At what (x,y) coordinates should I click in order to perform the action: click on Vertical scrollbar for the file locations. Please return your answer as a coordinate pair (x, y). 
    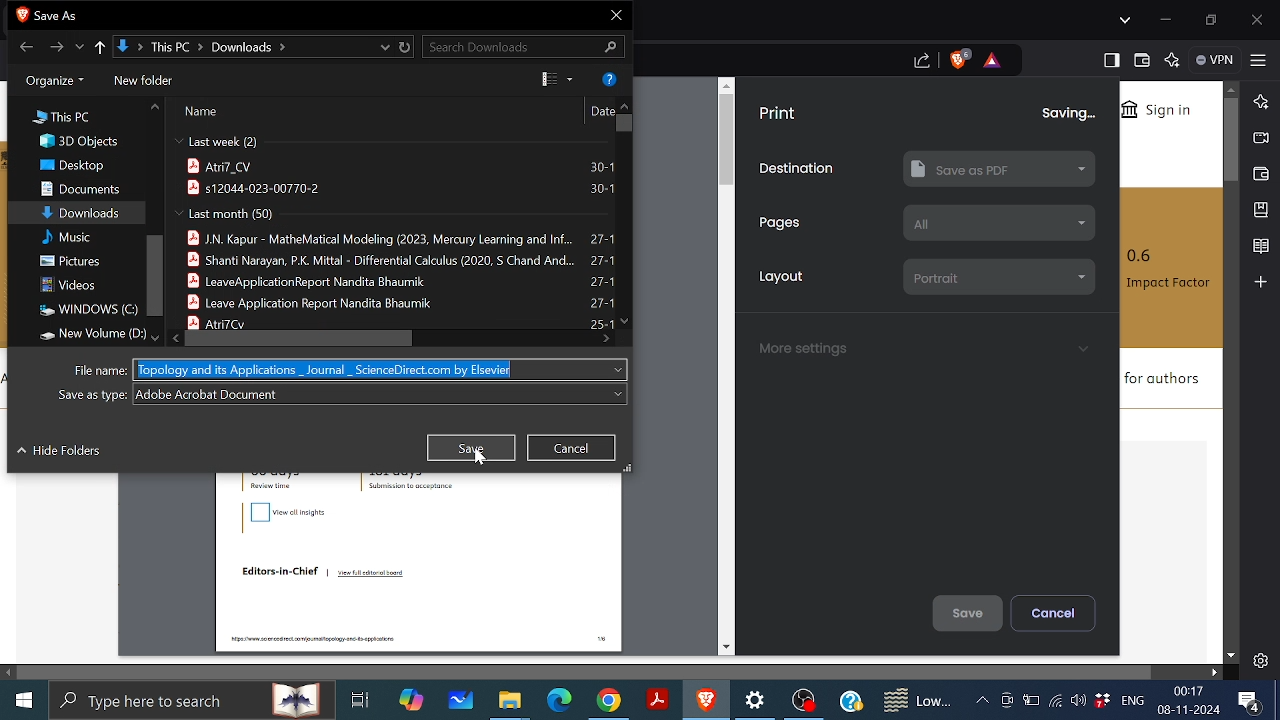
    Looking at the image, I should click on (154, 276).